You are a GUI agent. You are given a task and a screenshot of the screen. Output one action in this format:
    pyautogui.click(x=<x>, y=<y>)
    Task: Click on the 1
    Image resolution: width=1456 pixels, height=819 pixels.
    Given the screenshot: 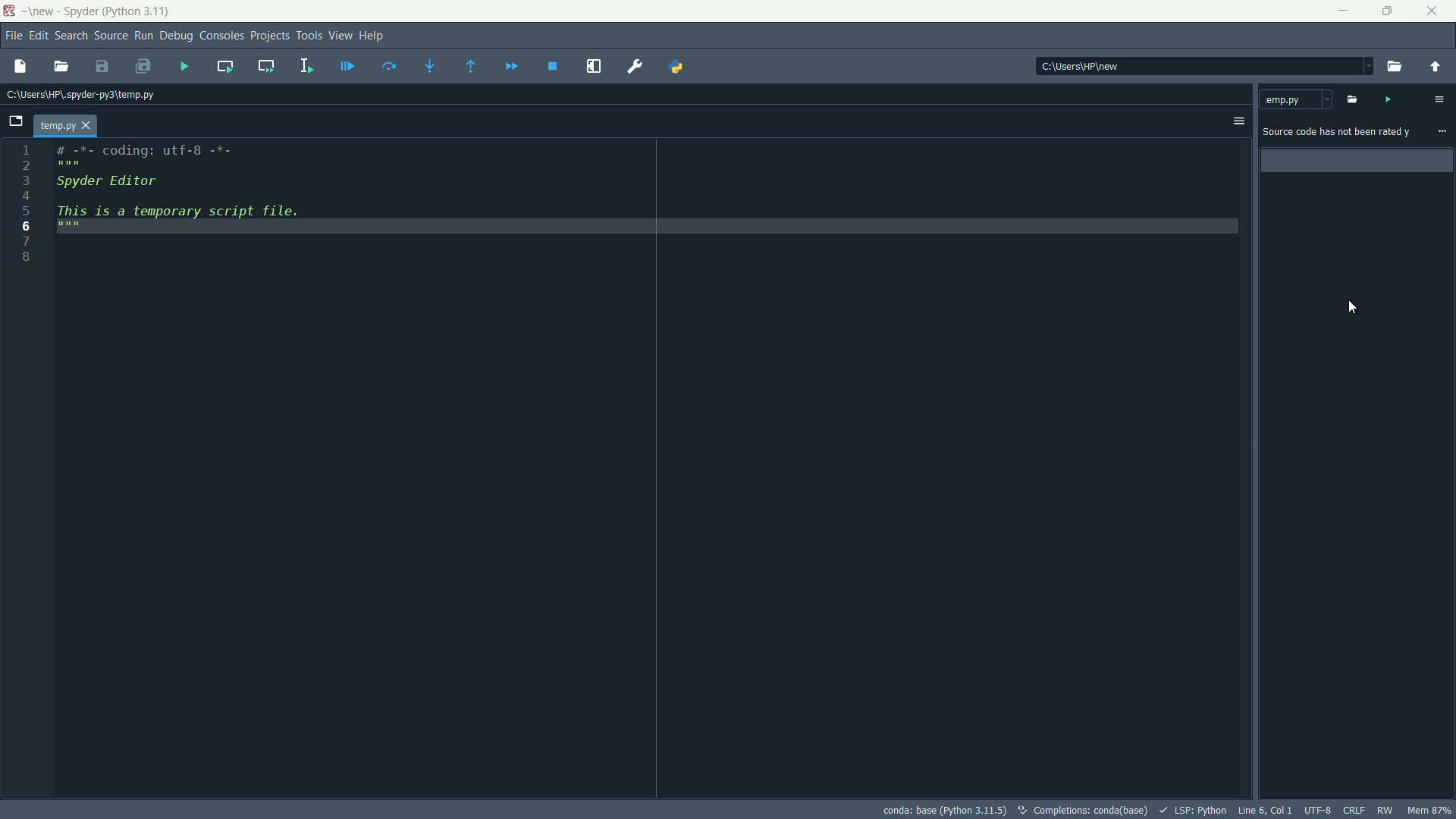 What is the action you would take?
    pyautogui.click(x=26, y=150)
    